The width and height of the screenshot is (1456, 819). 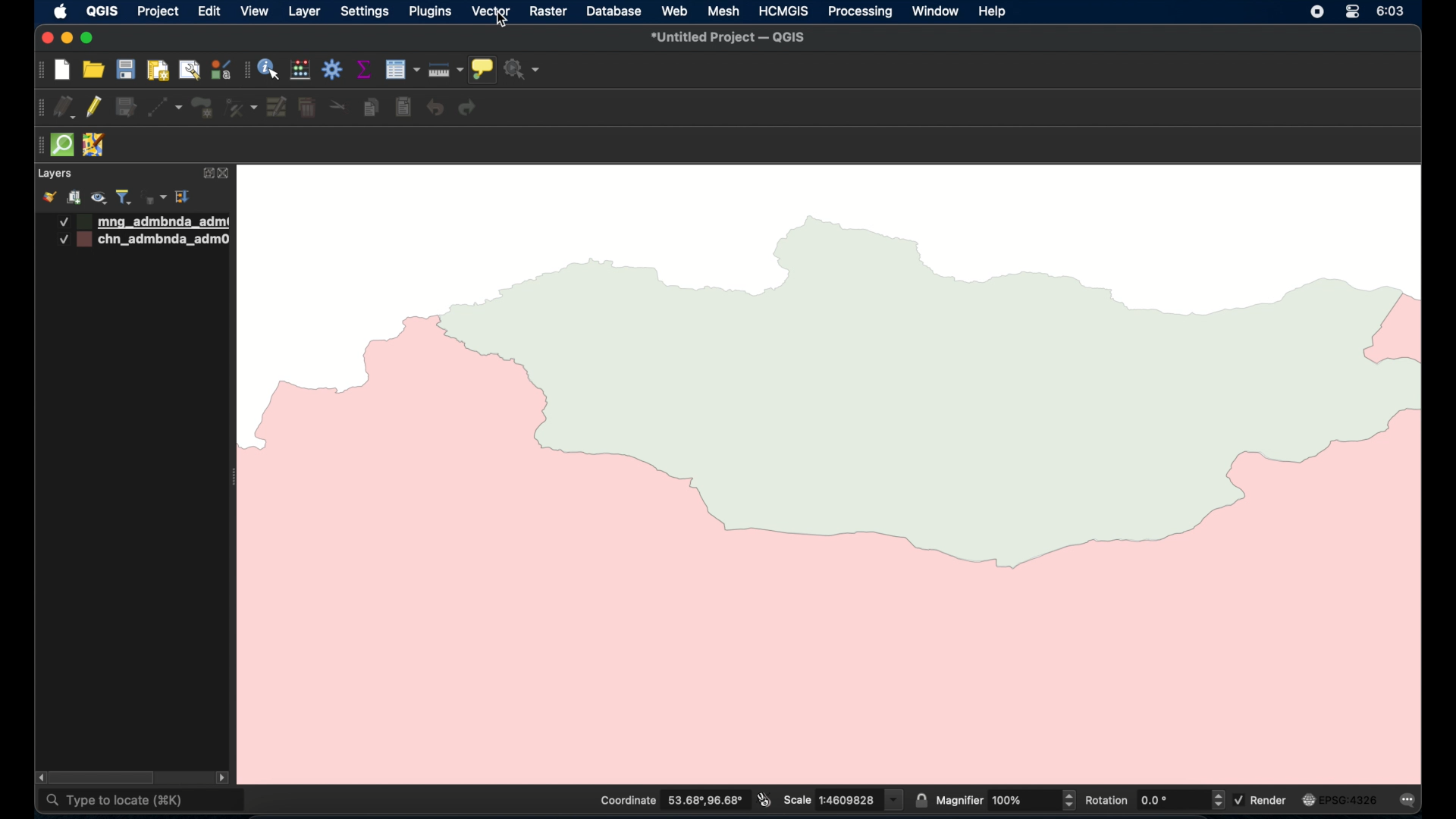 What do you see at coordinates (41, 108) in the screenshot?
I see `drag handles` at bounding box center [41, 108].